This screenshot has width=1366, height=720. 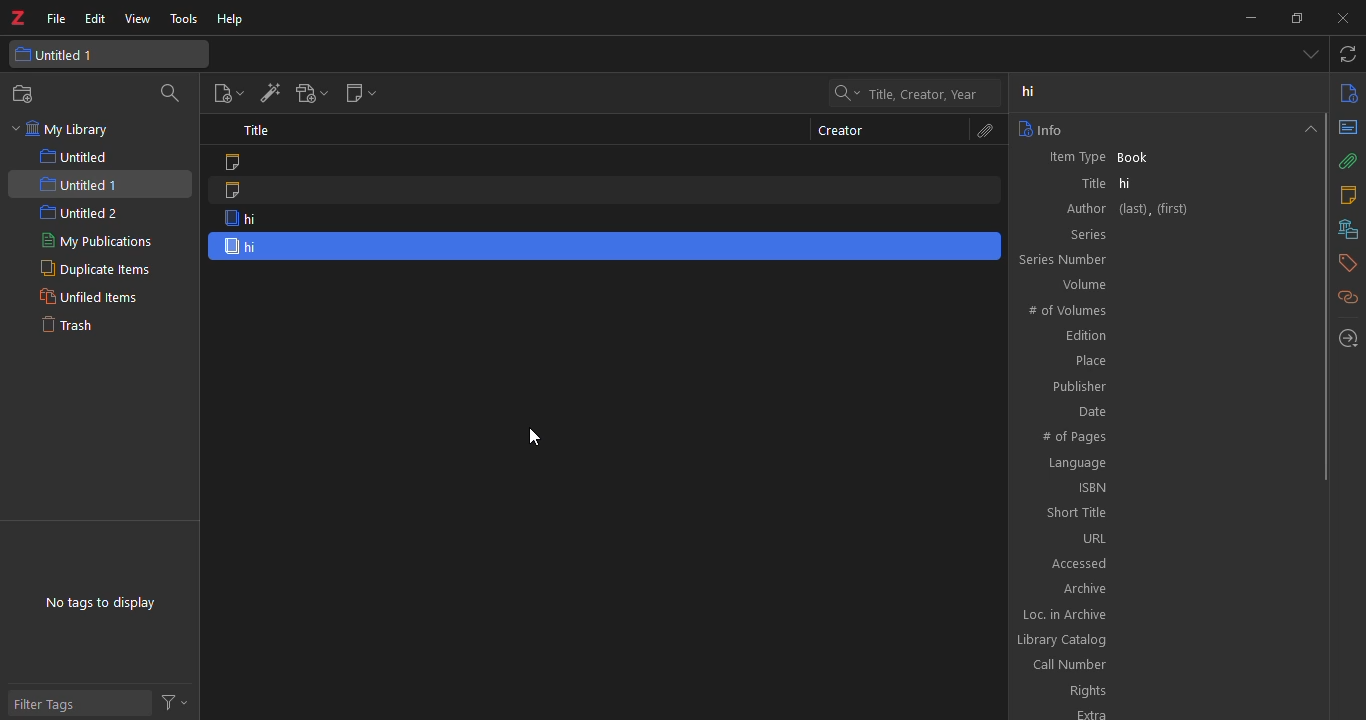 What do you see at coordinates (842, 131) in the screenshot?
I see `creator` at bounding box center [842, 131].